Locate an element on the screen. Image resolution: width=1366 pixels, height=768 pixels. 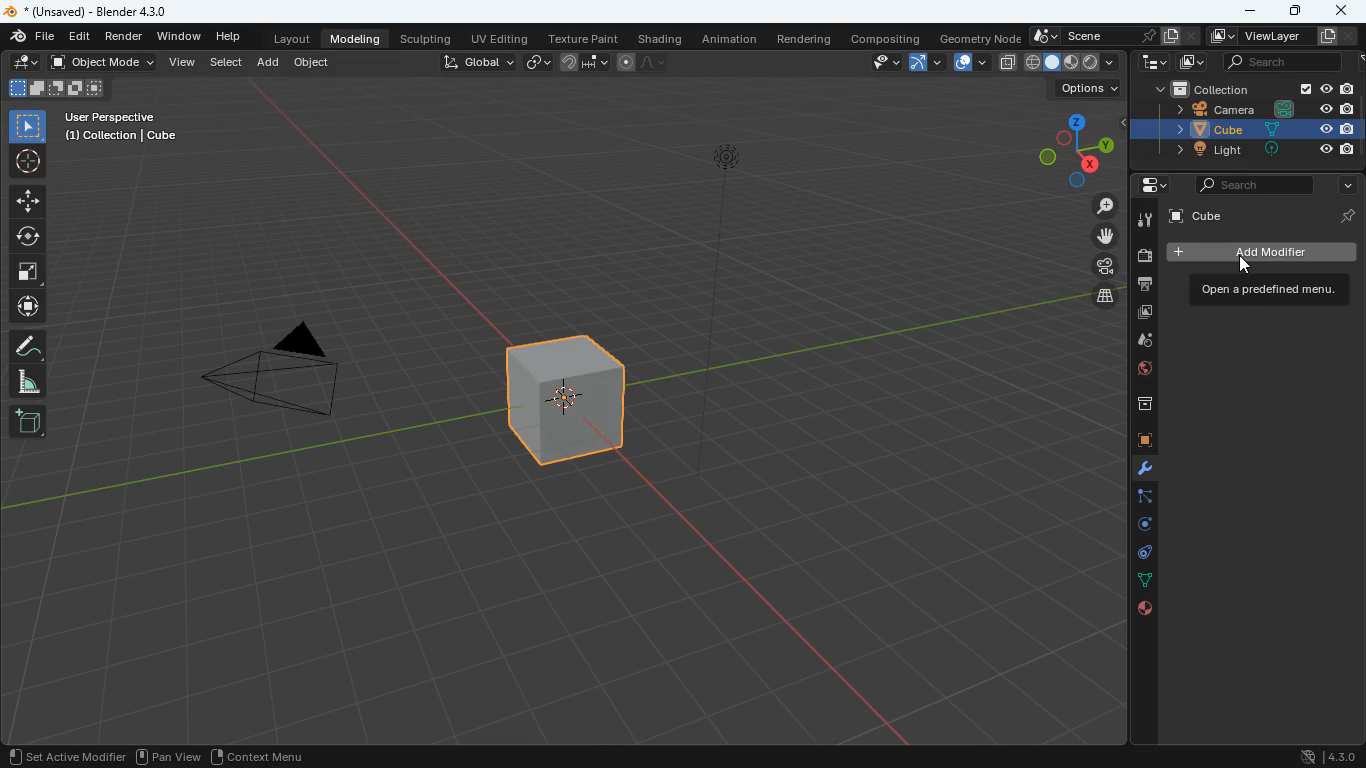
add modifier is located at coordinates (1266, 252).